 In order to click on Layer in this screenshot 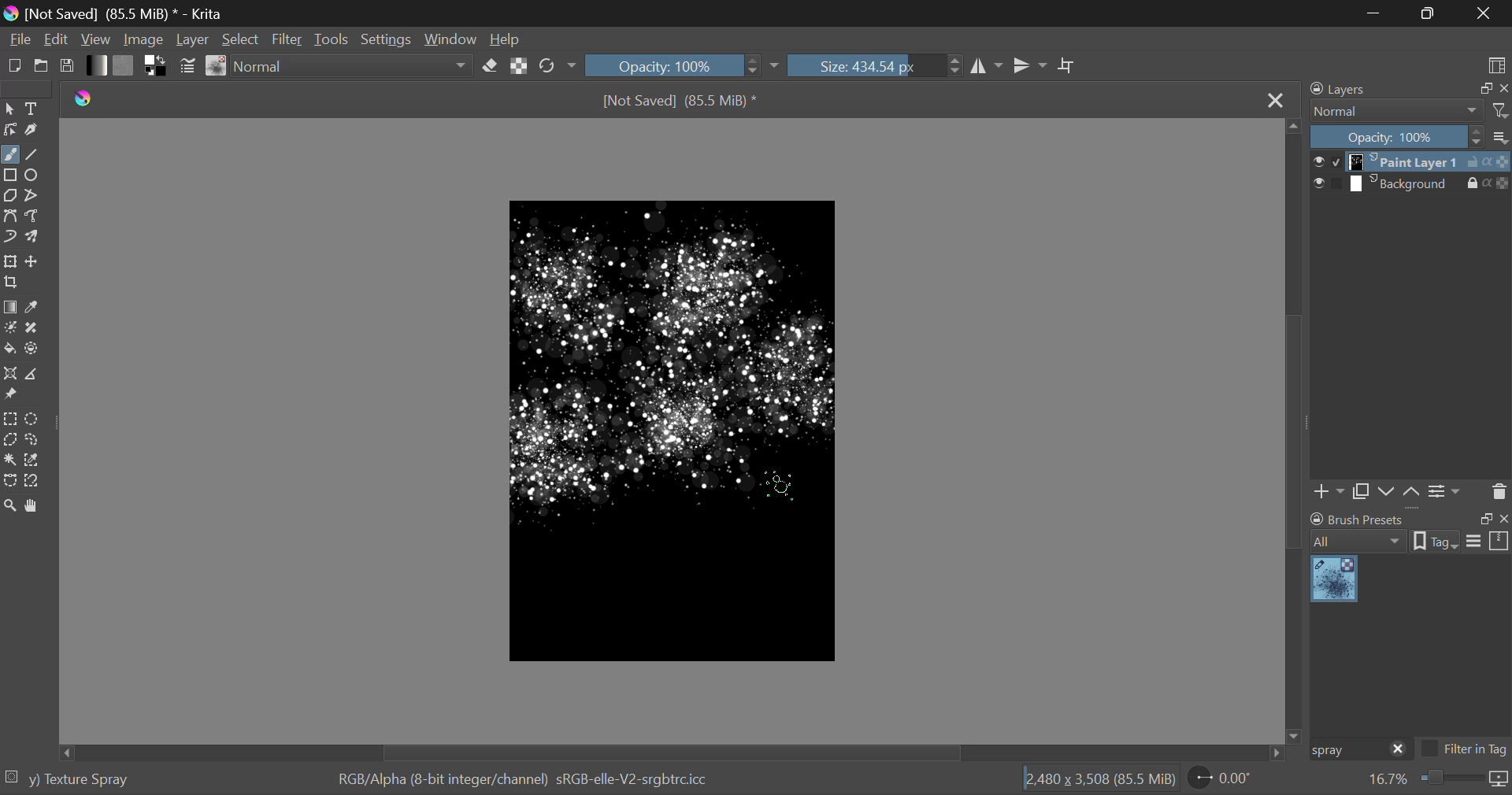, I will do `click(194, 39)`.